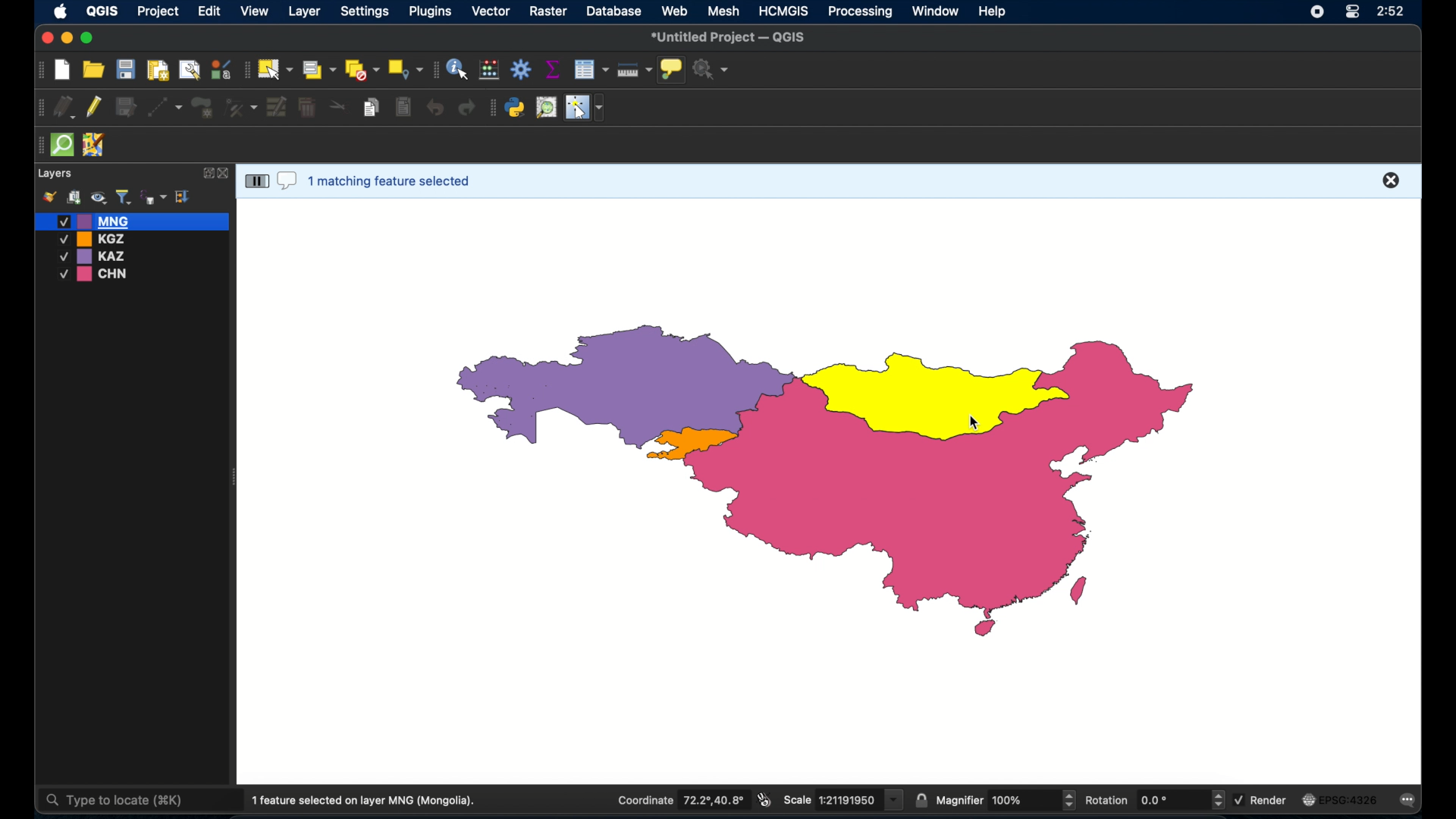 The width and height of the screenshot is (1456, 819). Describe the element at coordinates (102, 256) in the screenshot. I see `KAZ` at that location.